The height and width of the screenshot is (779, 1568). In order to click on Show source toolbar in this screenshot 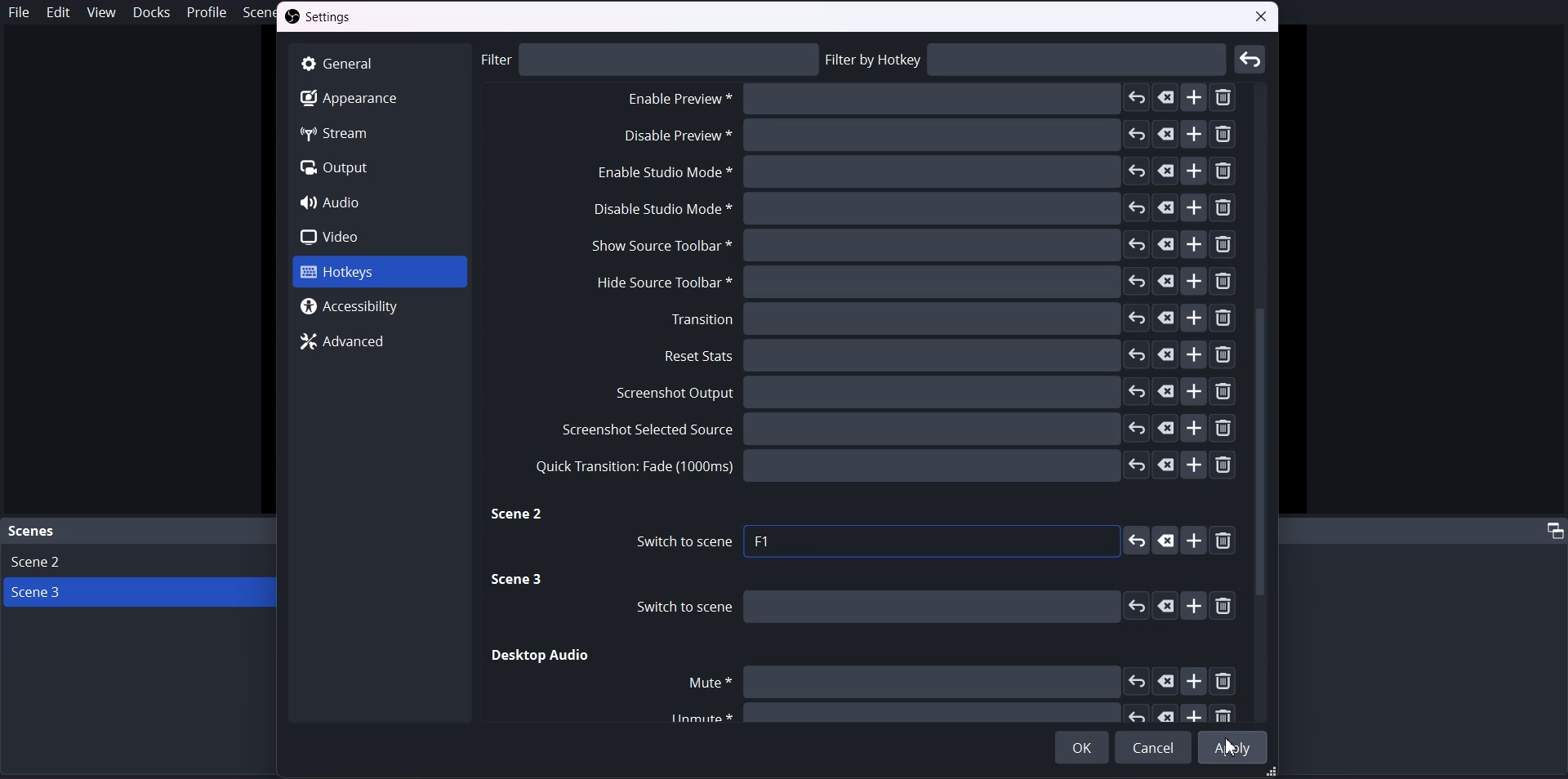, I will do `click(911, 246)`.